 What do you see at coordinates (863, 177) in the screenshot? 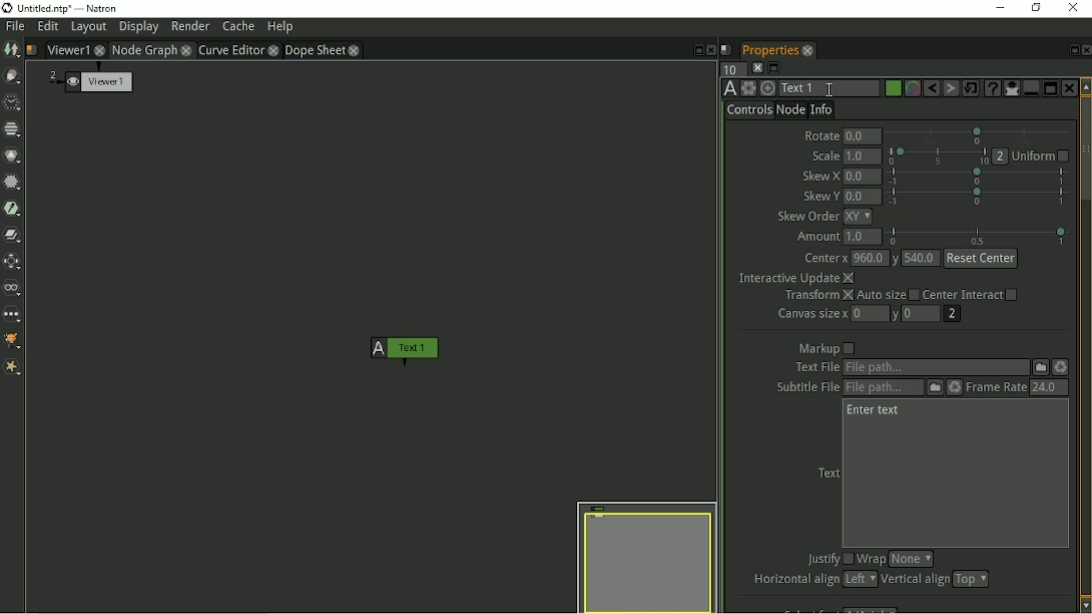
I see `0.0` at bounding box center [863, 177].